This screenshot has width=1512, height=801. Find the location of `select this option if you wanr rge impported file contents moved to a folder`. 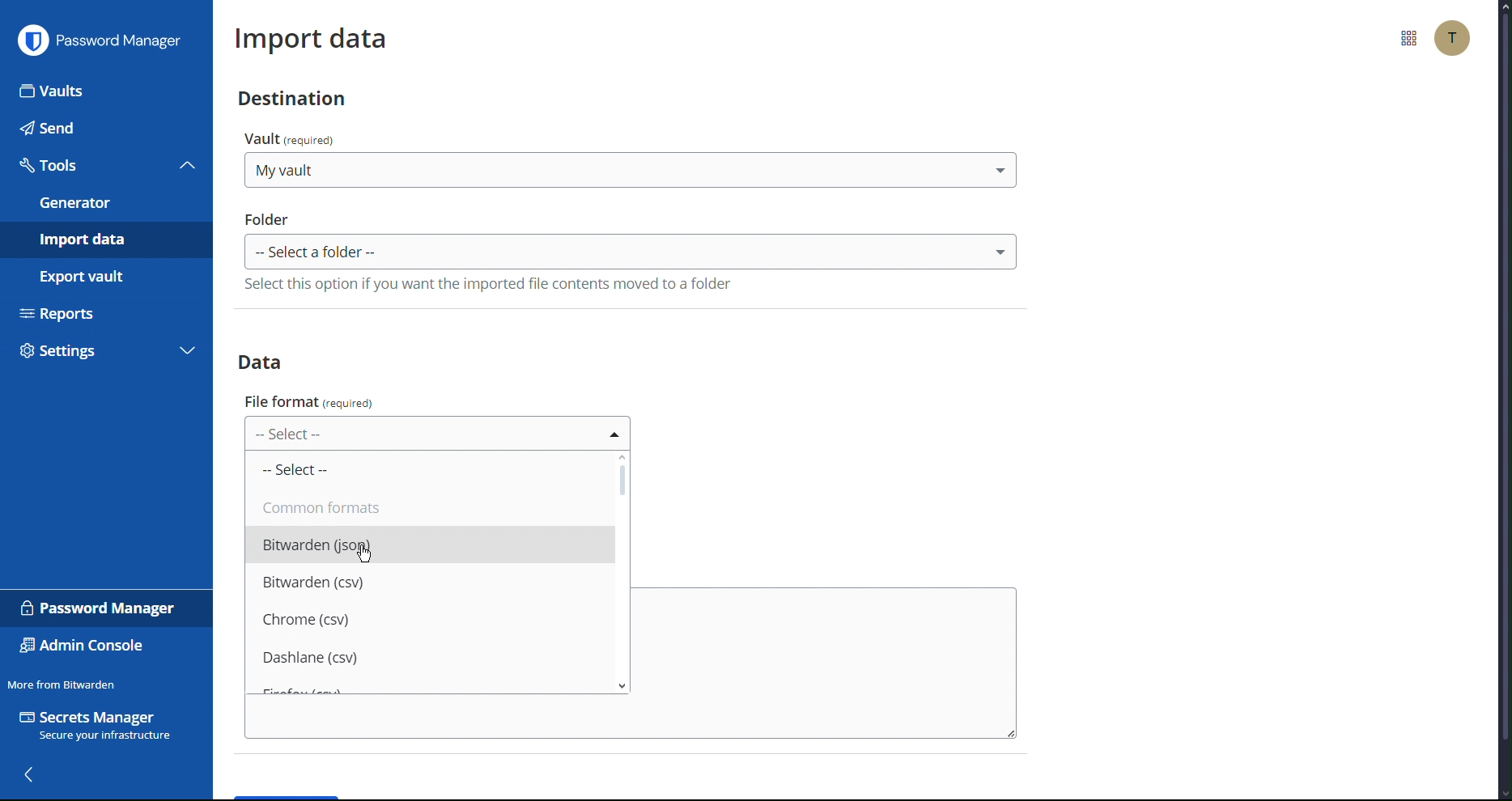

select this option if you wanr rge impported file contents moved to a folder is located at coordinates (490, 282).